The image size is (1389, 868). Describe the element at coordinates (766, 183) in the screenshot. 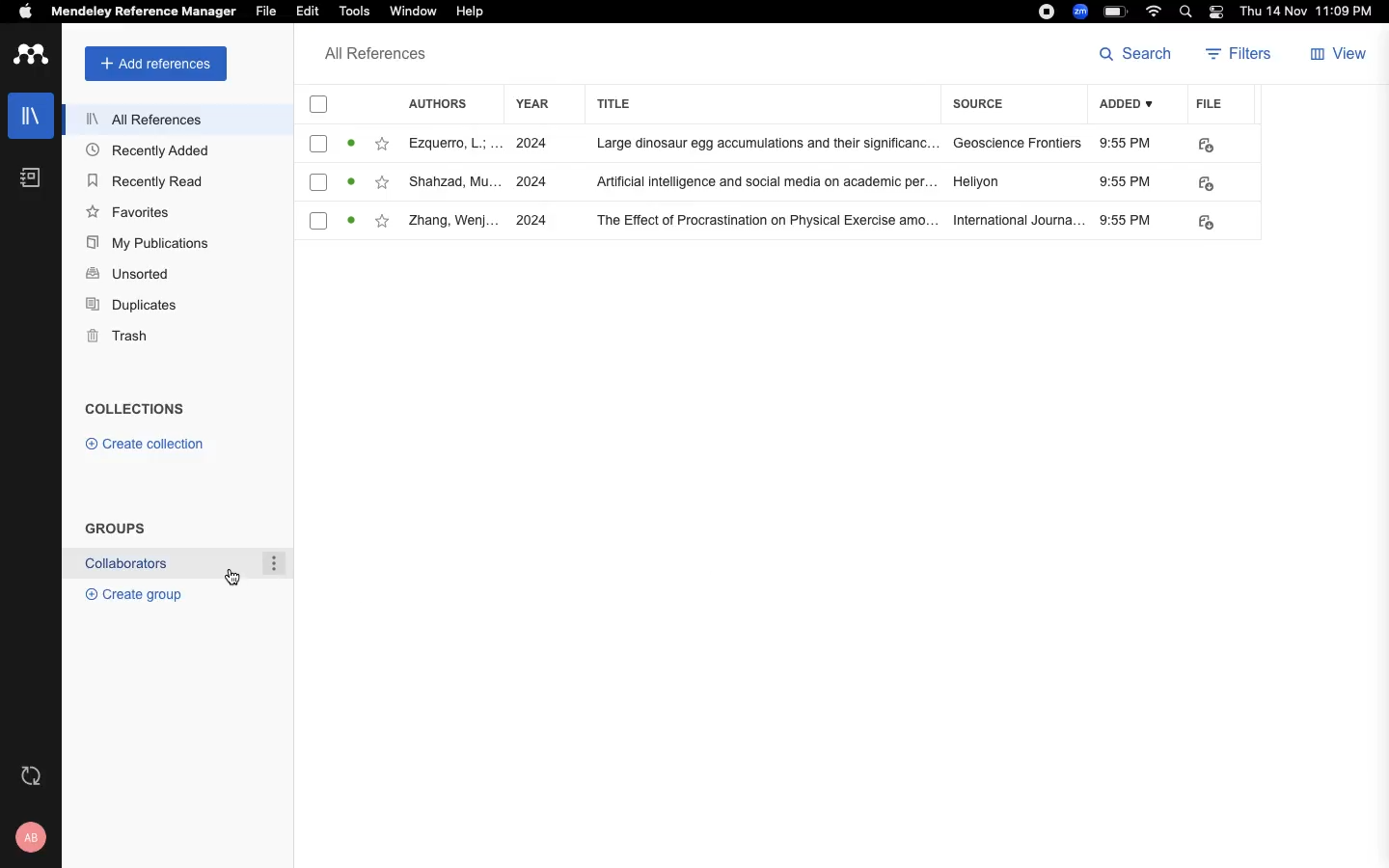

I see `Artificial intelligence and social media on academic per.` at that location.